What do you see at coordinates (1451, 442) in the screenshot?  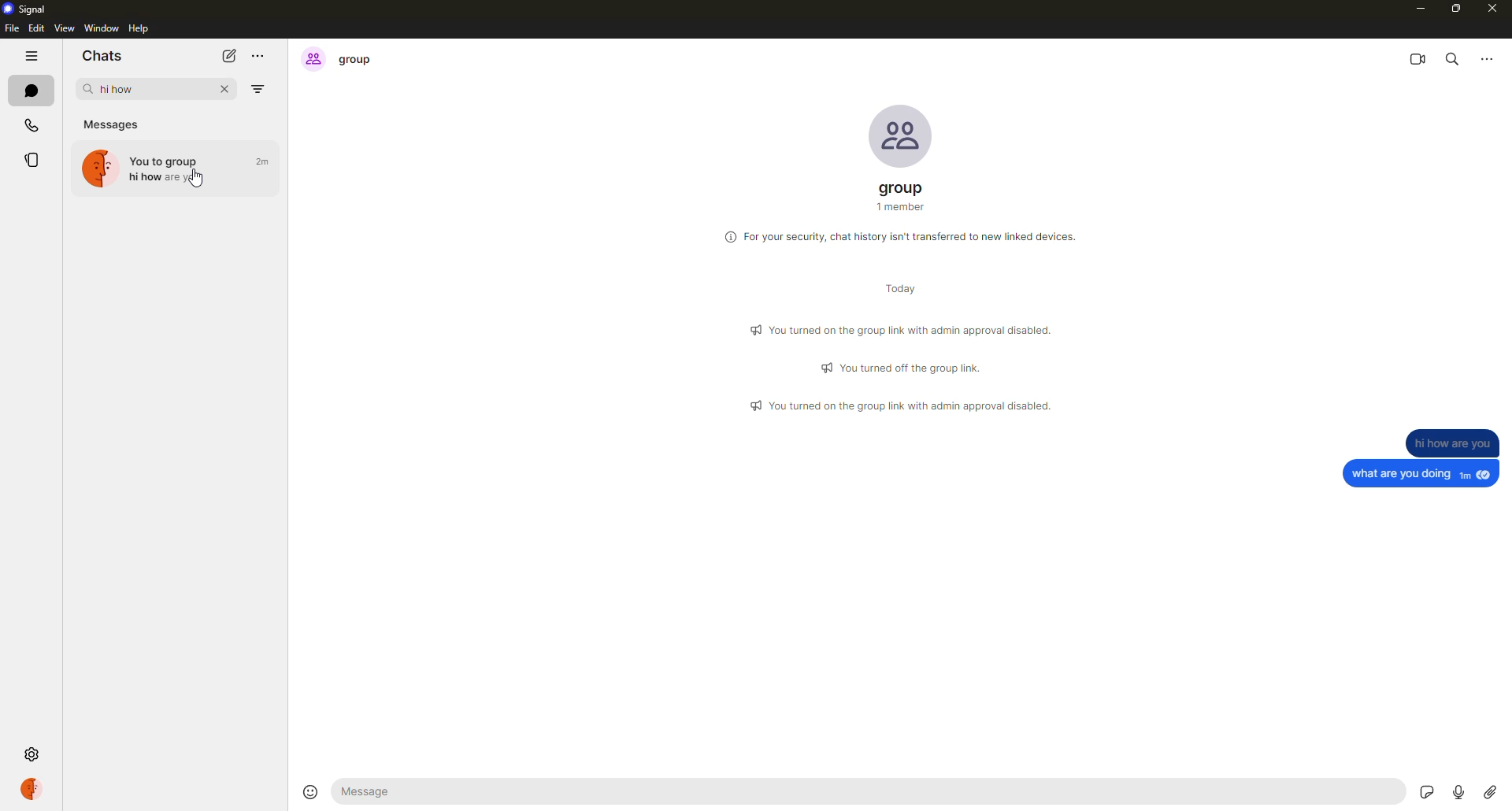 I see `message` at bounding box center [1451, 442].